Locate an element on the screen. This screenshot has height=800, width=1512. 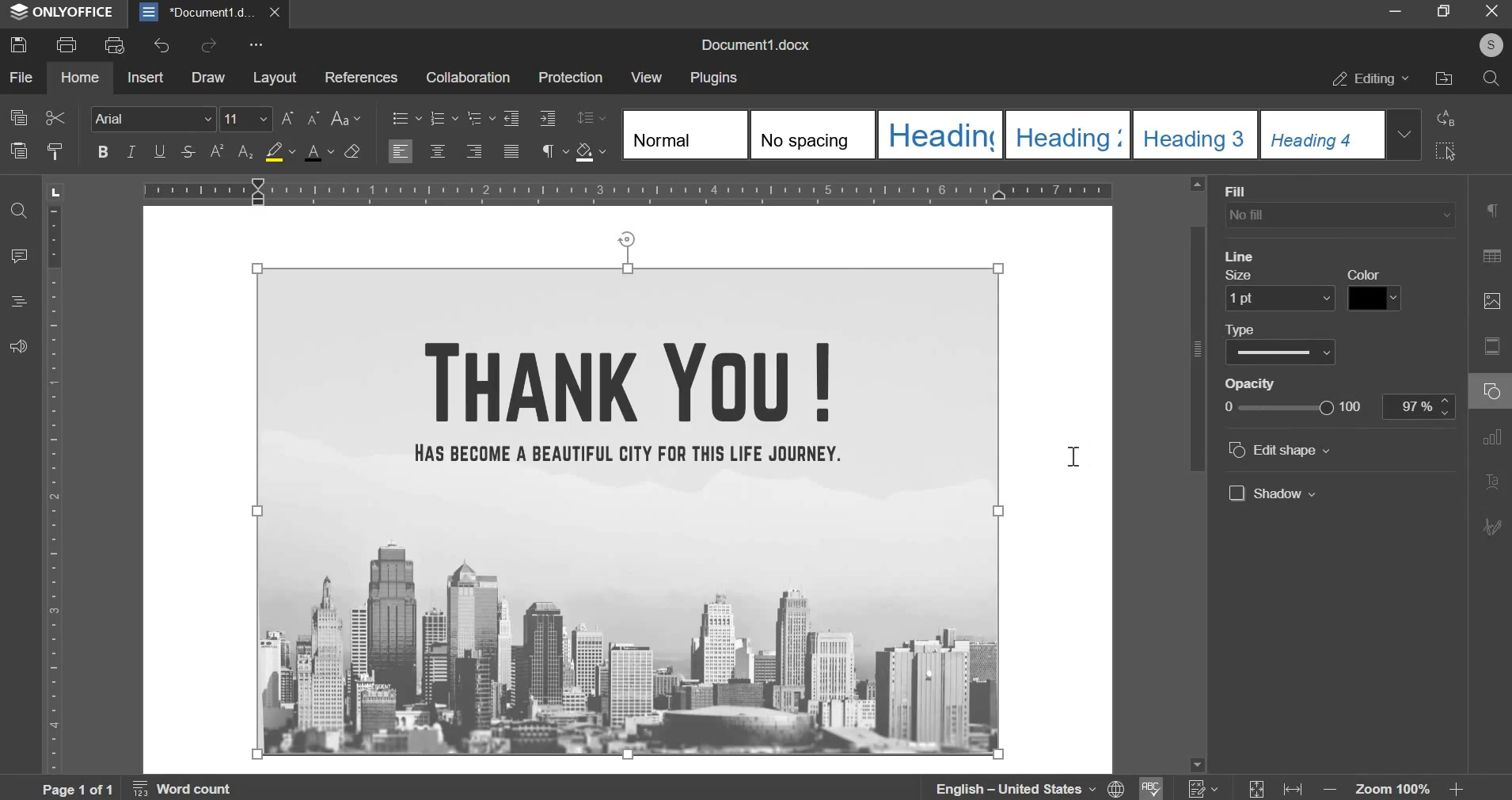
justified is located at coordinates (511, 150).